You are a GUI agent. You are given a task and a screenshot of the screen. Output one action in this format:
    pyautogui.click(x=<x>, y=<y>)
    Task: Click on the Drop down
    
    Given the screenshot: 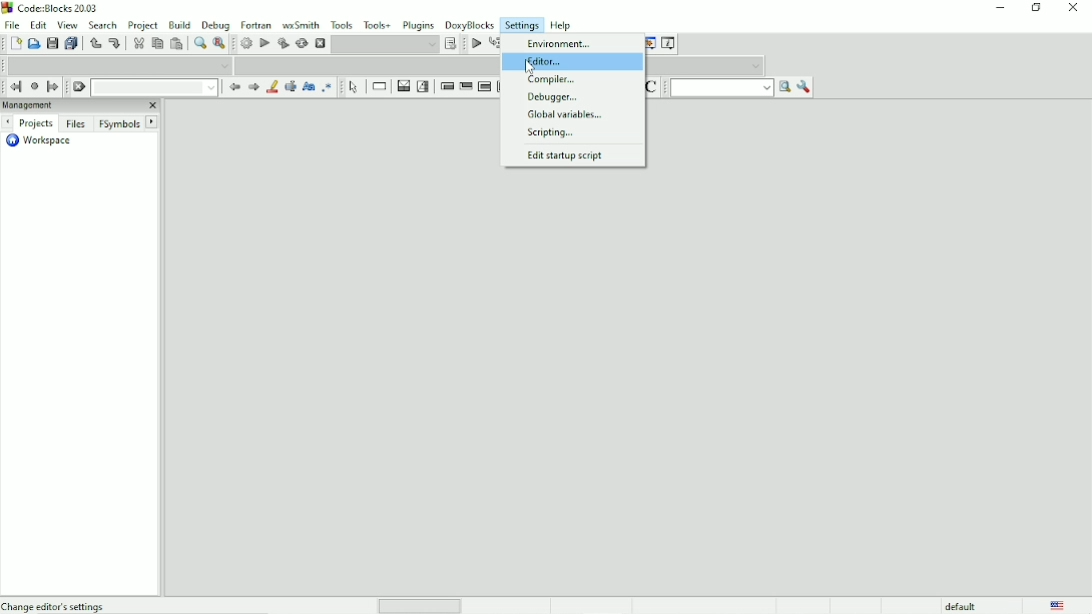 What is the action you would take?
    pyautogui.click(x=767, y=88)
    